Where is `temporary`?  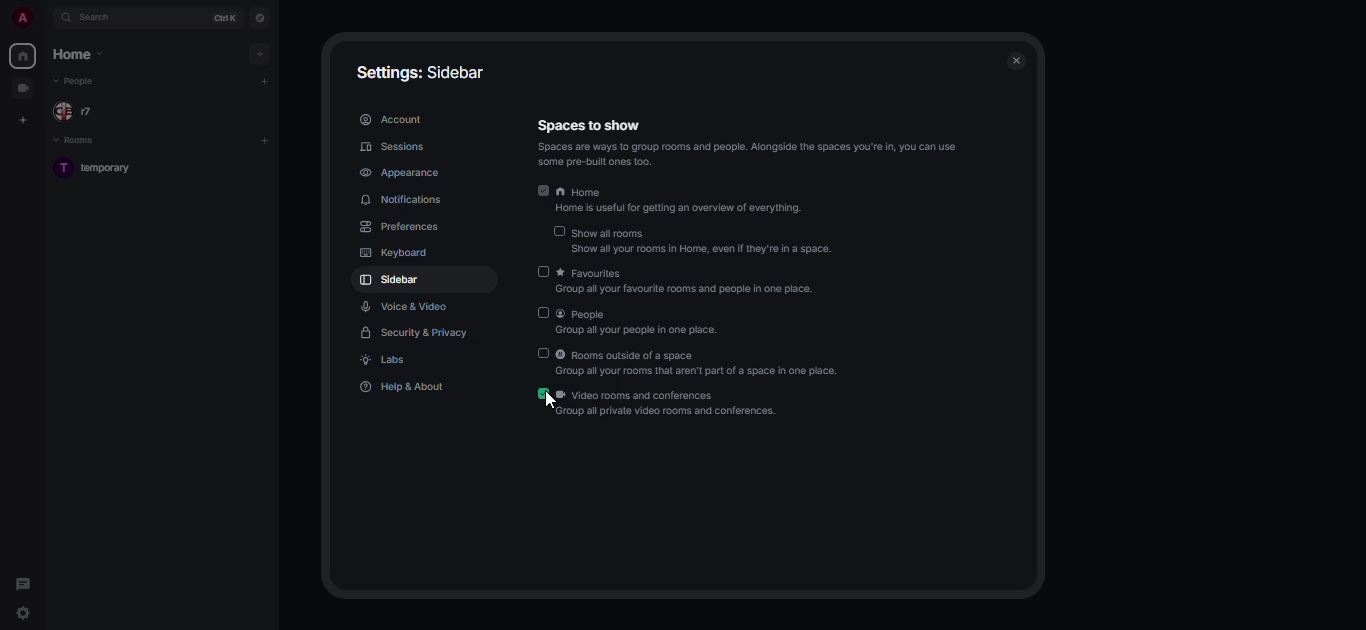
temporary is located at coordinates (99, 168).